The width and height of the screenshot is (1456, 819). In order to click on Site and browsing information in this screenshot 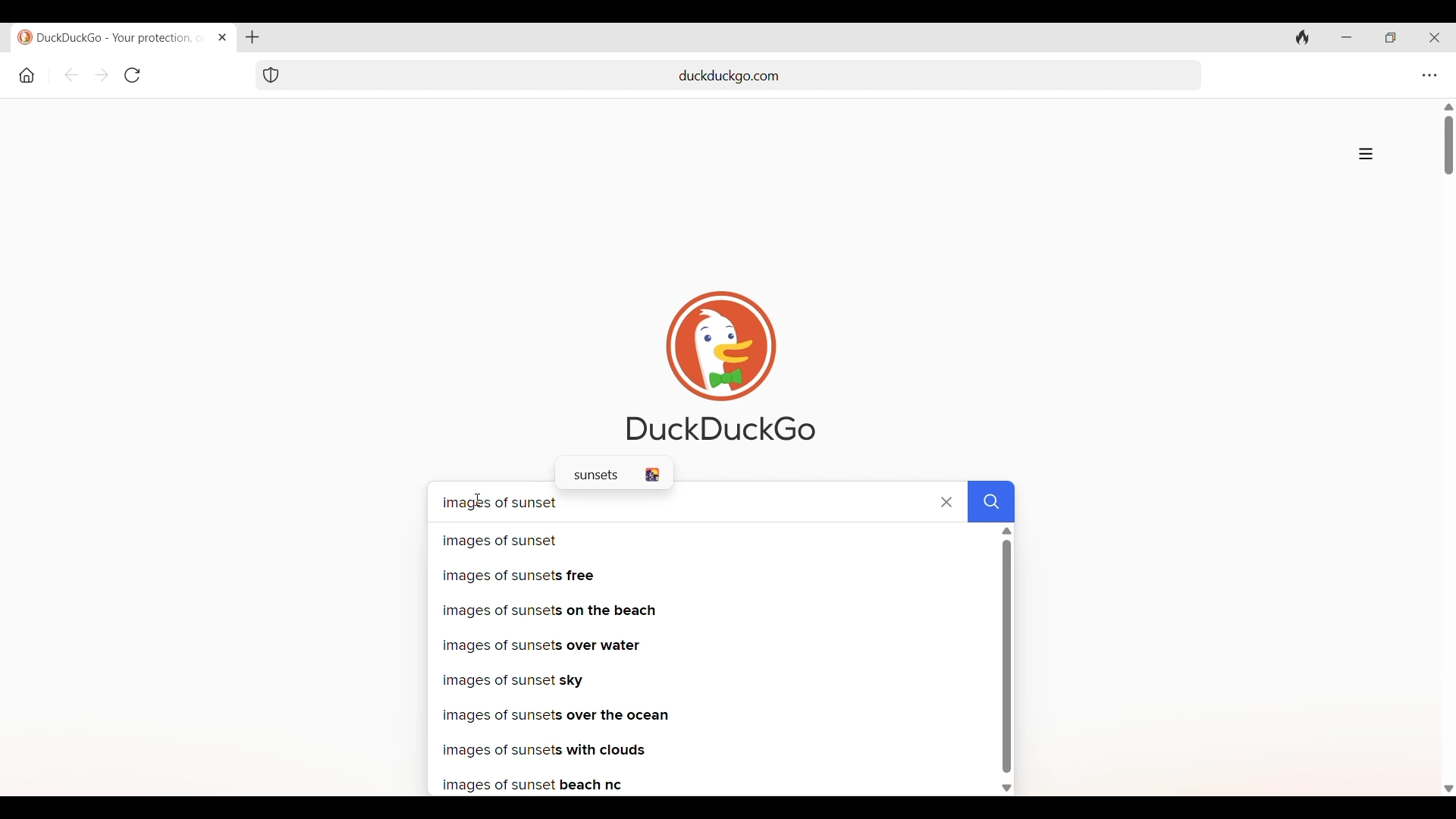, I will do `click(1366, 154)`.